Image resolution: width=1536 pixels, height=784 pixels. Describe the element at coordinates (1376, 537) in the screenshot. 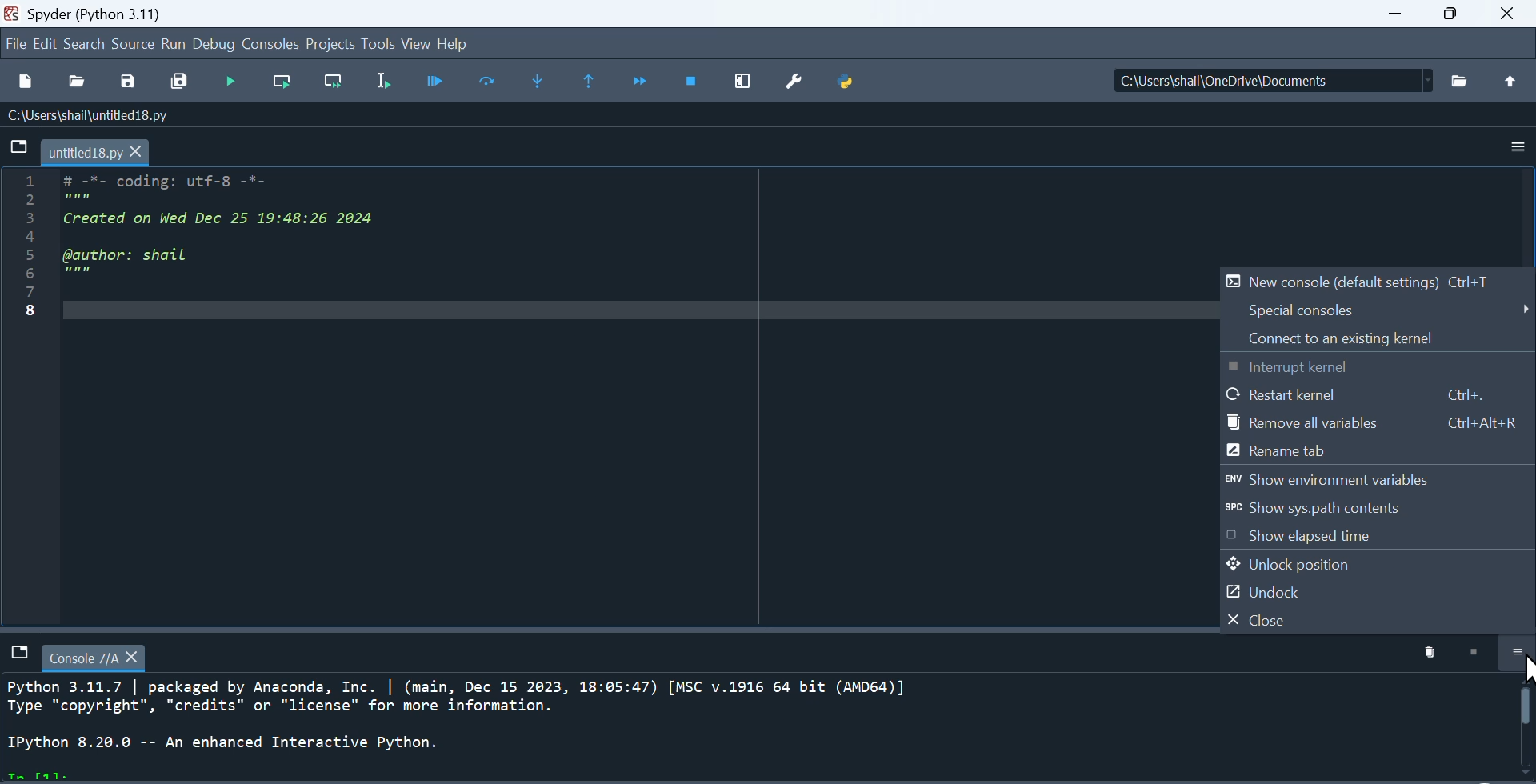

I see `show elapsed time` at that location.